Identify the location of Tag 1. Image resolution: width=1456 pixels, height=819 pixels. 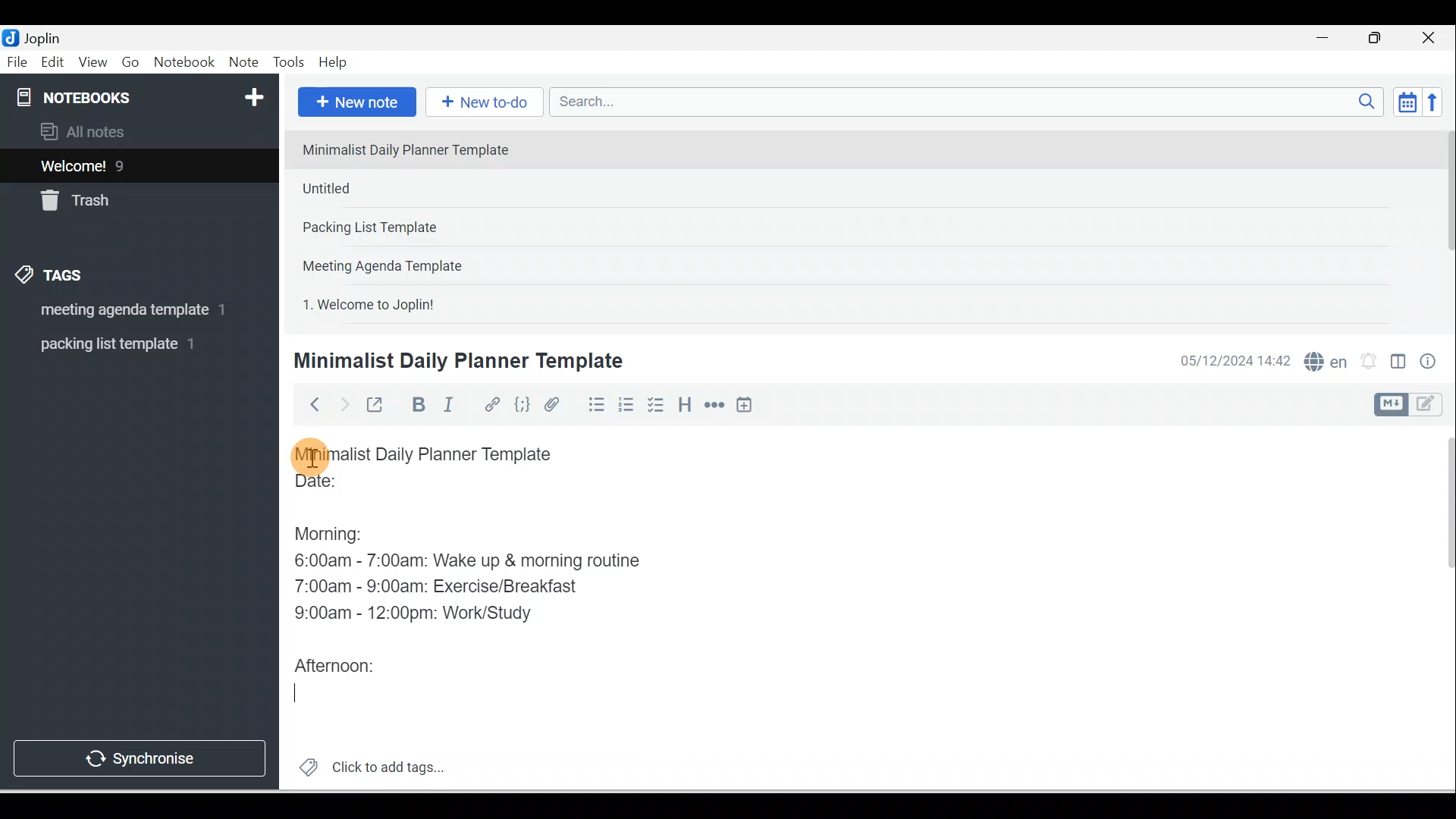
(119, 311).